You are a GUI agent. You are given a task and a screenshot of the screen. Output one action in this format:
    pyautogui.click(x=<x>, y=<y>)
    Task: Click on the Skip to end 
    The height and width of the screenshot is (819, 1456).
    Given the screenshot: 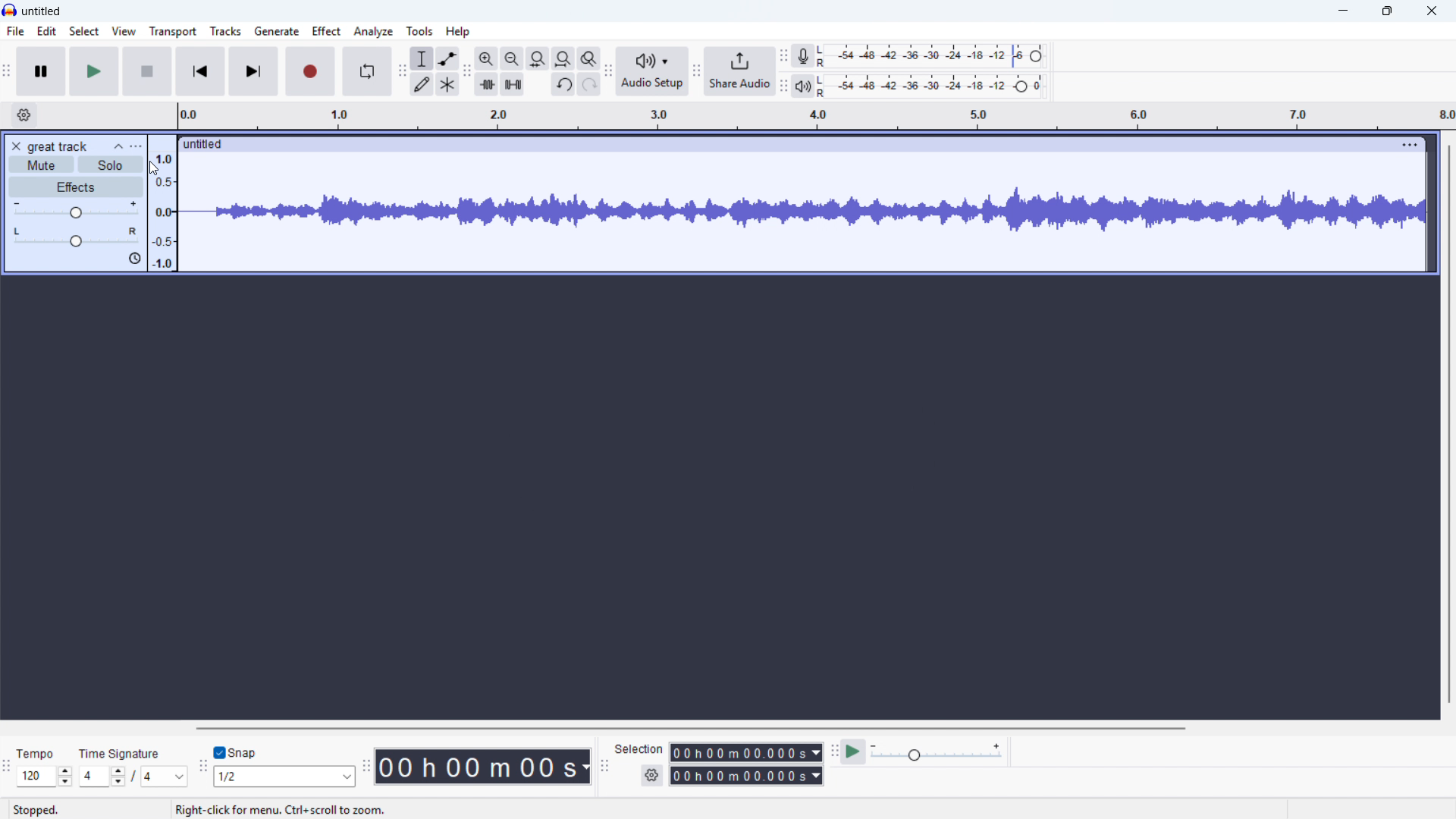 What is the action you would take?
    pyautogui.click(x=253, y=72)
    